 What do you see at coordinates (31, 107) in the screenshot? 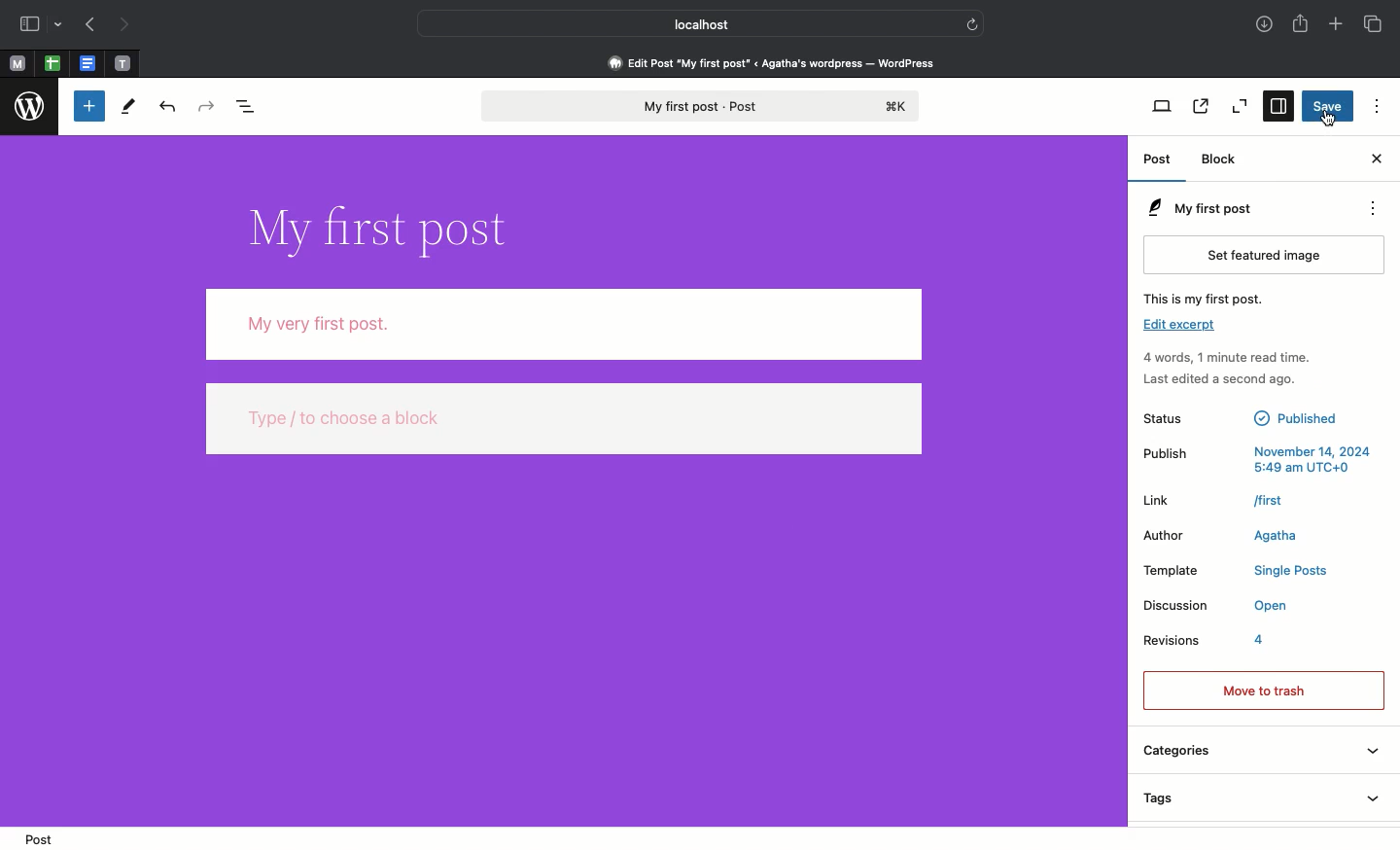
I see `wordpress logo` at bounding box center [31, 107].